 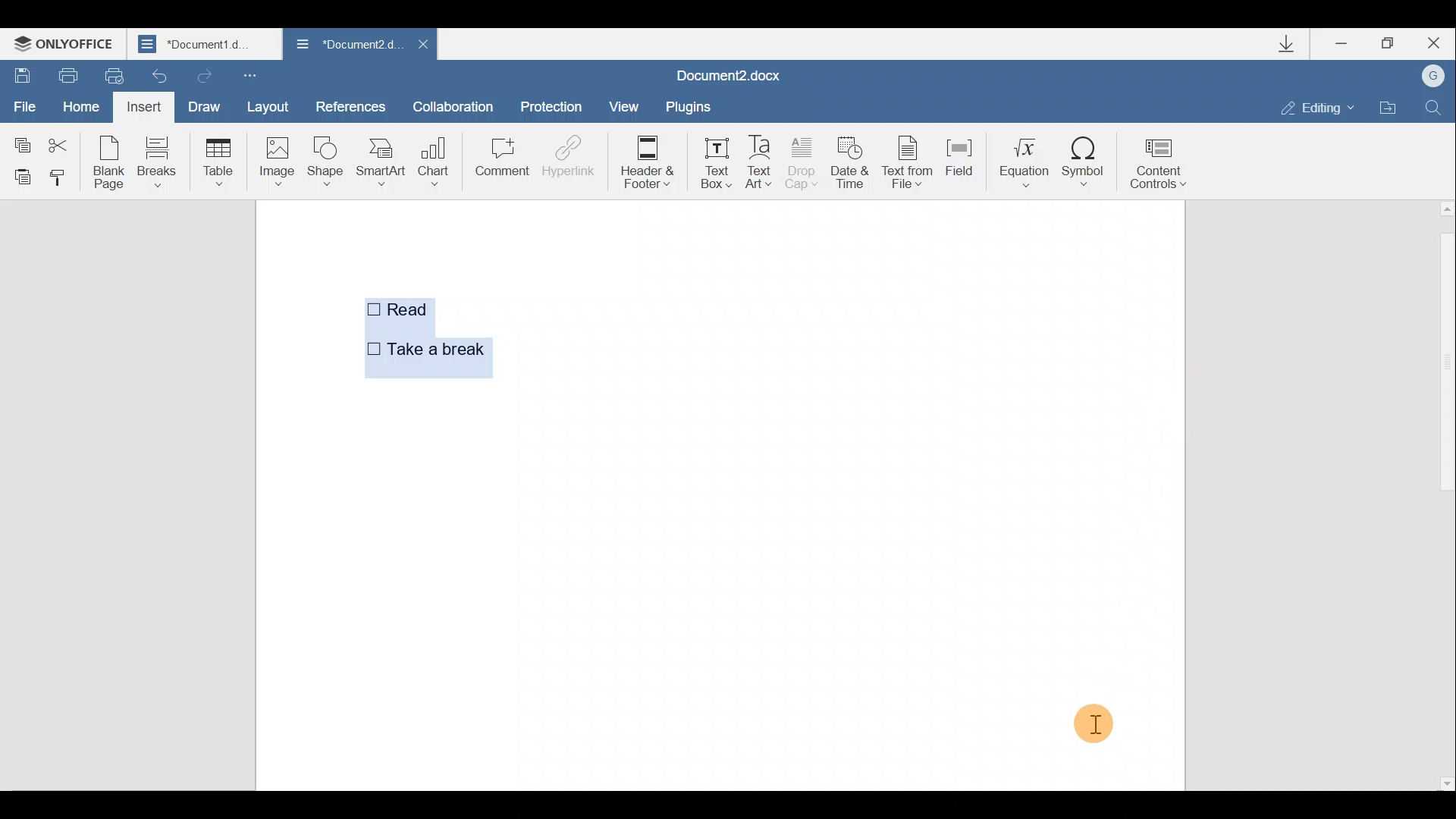 I want to click on Equation, so click(x=1020, y=162).